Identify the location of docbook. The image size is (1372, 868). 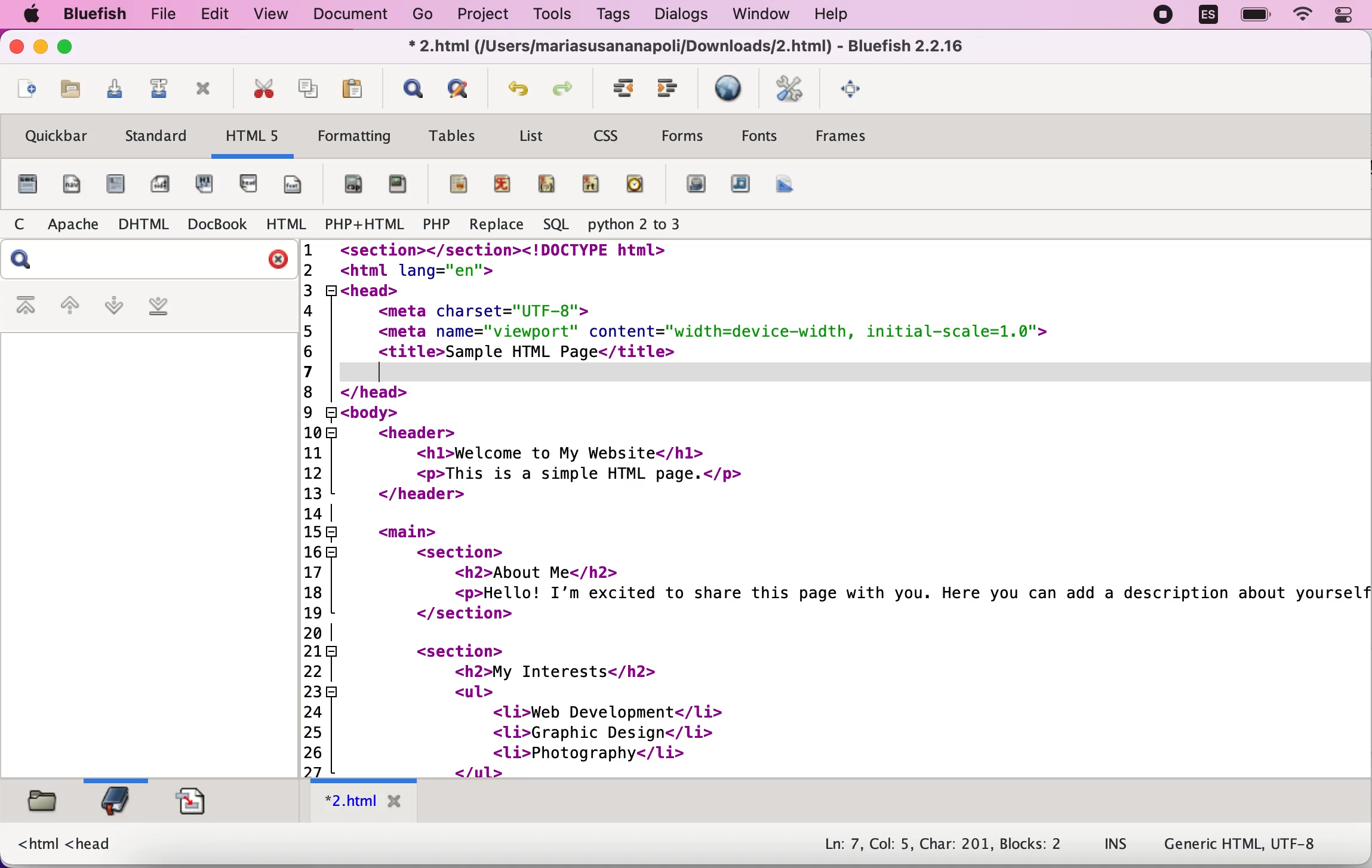
(216, 226).